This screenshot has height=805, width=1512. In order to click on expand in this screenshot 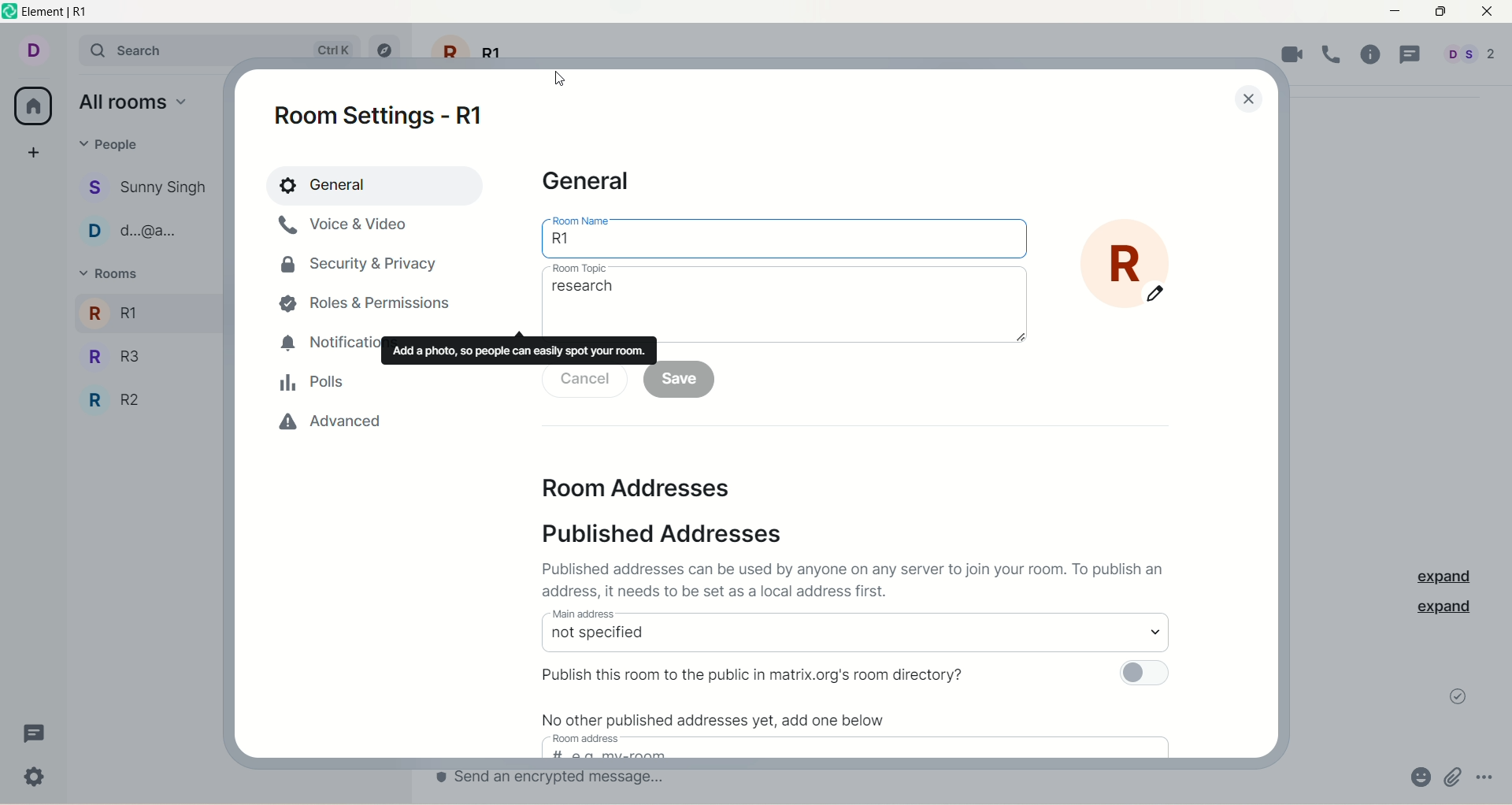, I will do `click(1452, 610)`.